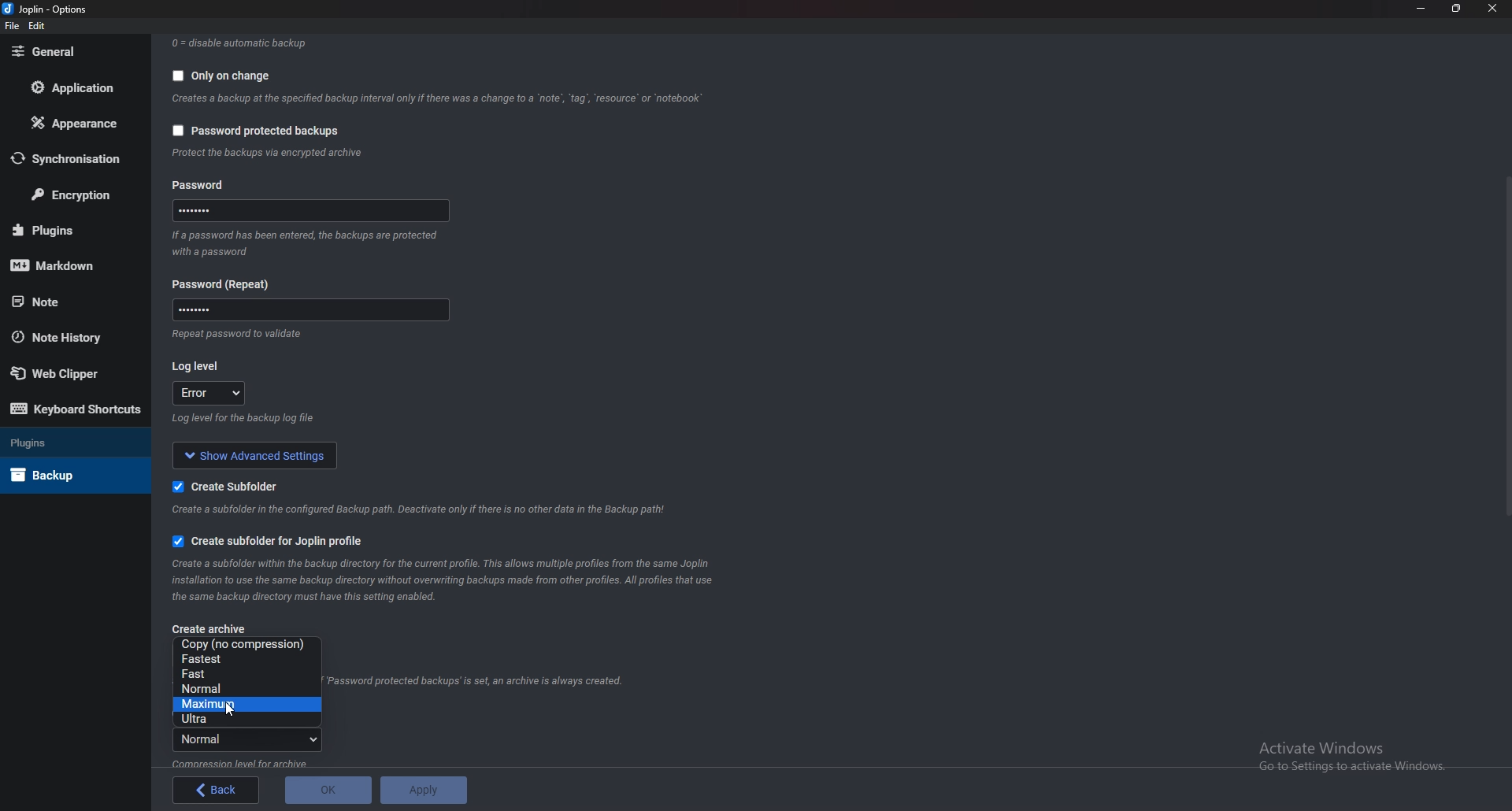  I want to click on Ultra, so click(239, 719).